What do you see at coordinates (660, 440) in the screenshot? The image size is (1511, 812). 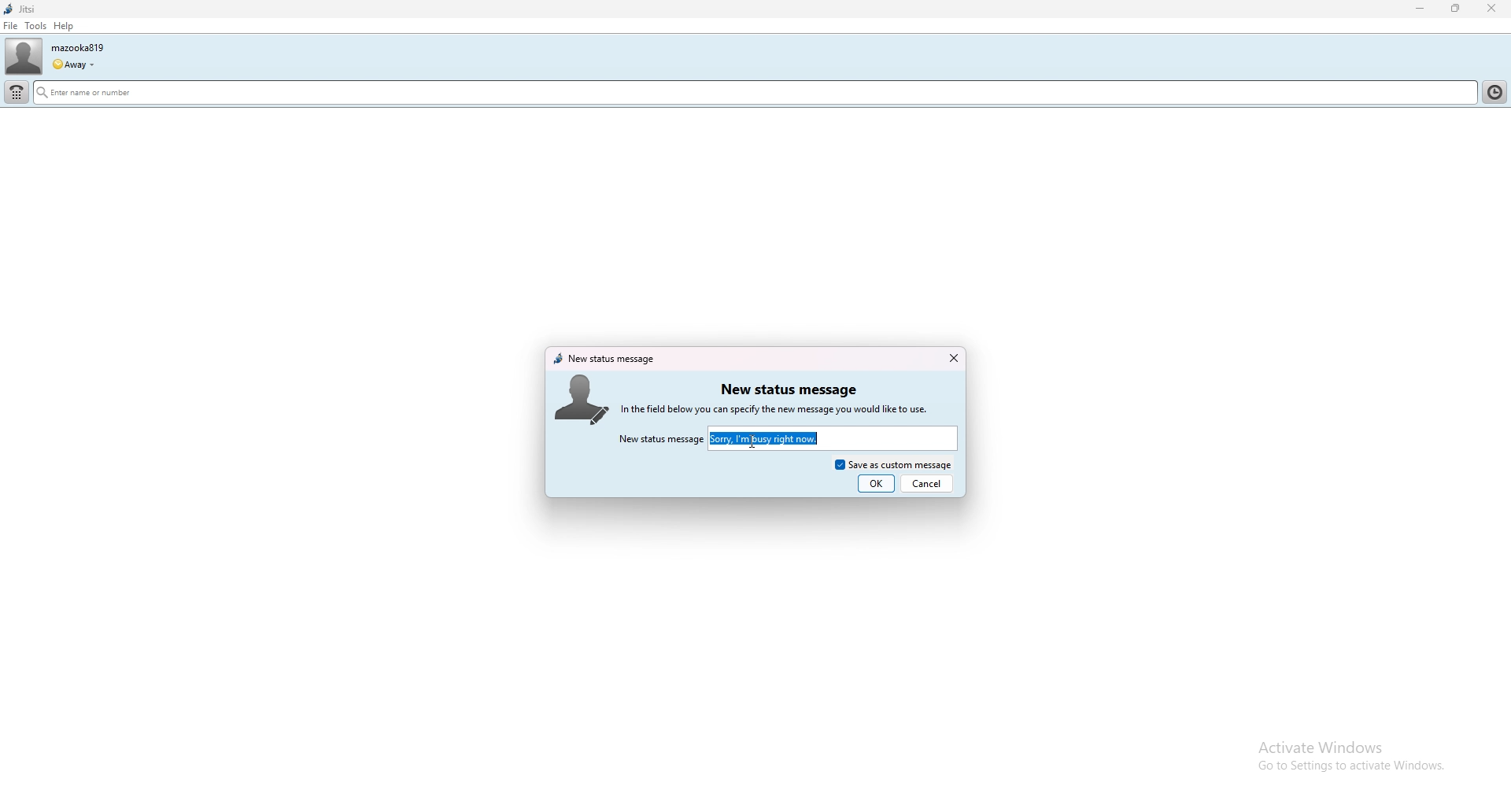 I see `new status message` at bounding box center [660, 440].